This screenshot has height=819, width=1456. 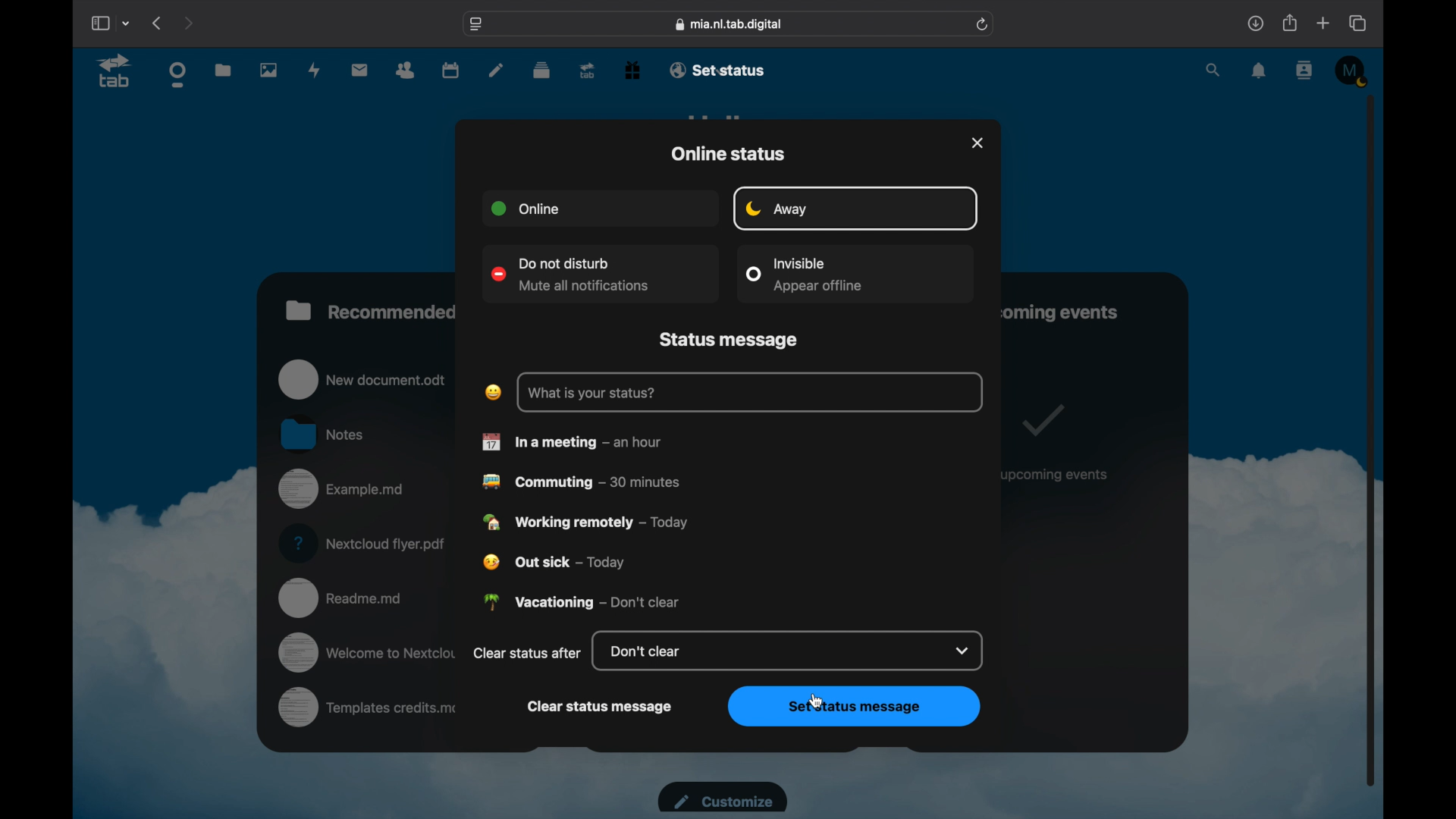 What do you see at coordinates (1371, 440) in the screenshot?
I see `scroll box` at bounding box center [1371, 440].